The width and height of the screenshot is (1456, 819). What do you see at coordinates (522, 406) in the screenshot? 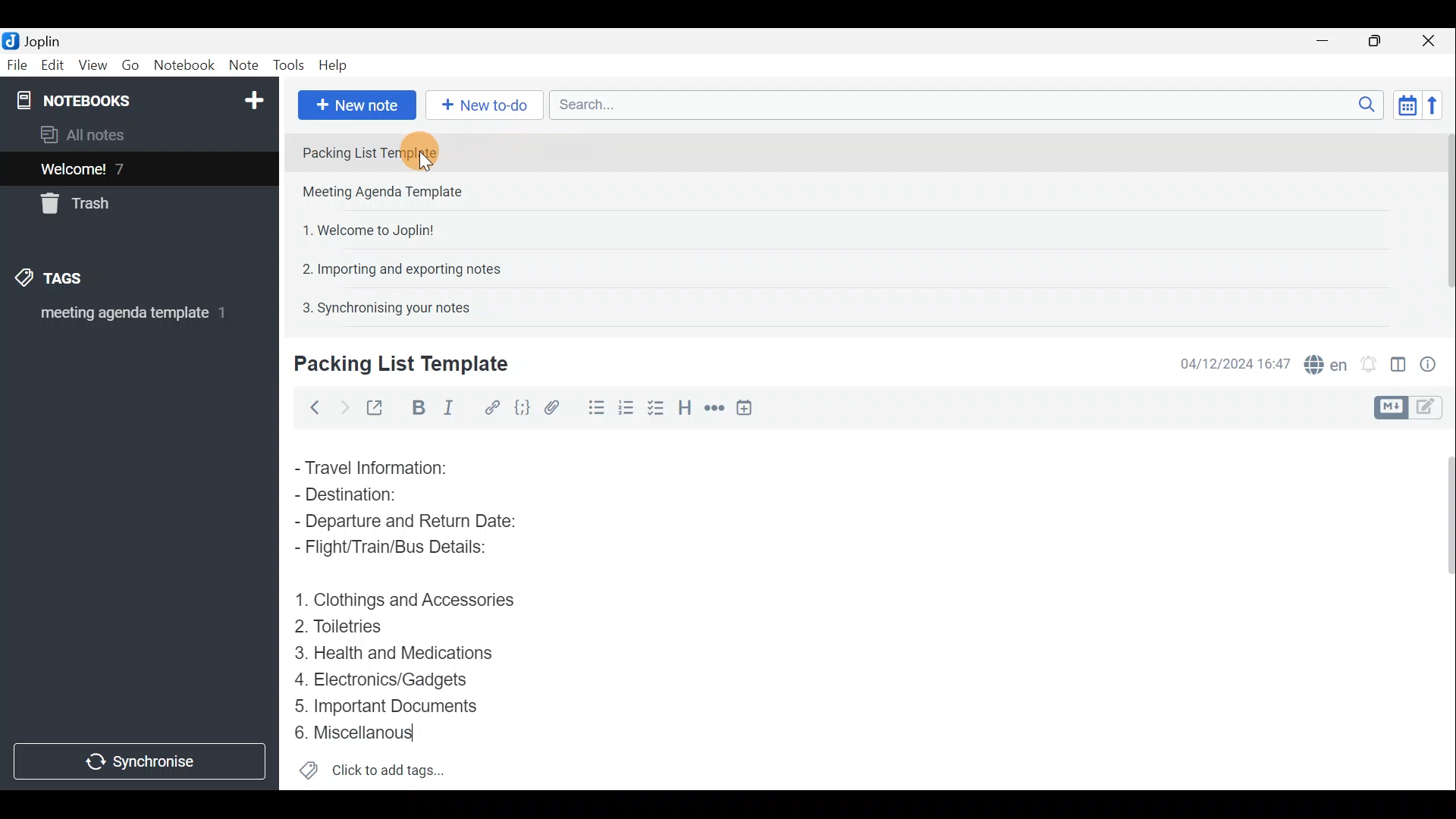
I see `Code` at bounding box center [522, 406].